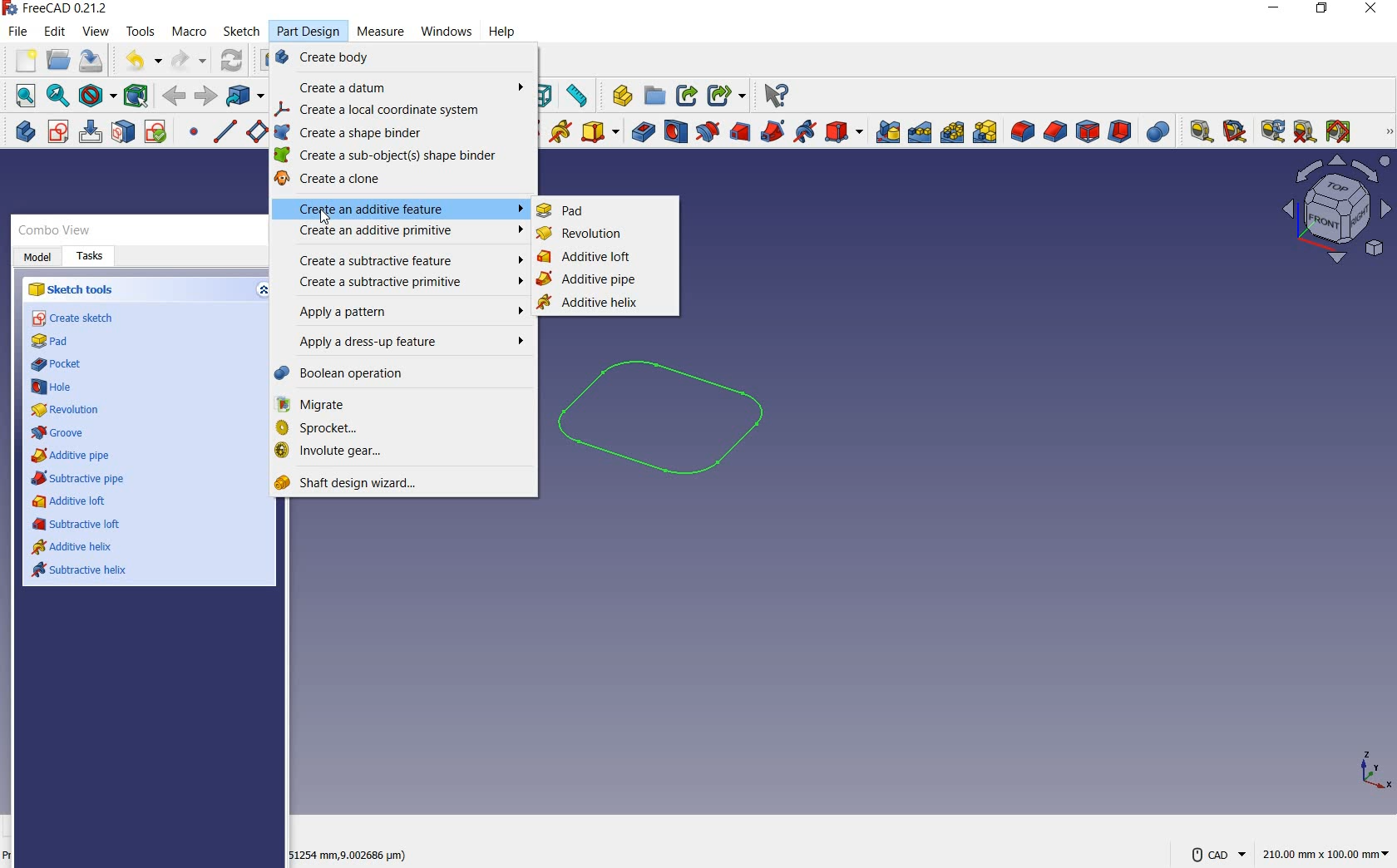  What do you see at coordinates (617, 96) in the screenshot?
I see `What's this?` at bounding box center [617, 96].